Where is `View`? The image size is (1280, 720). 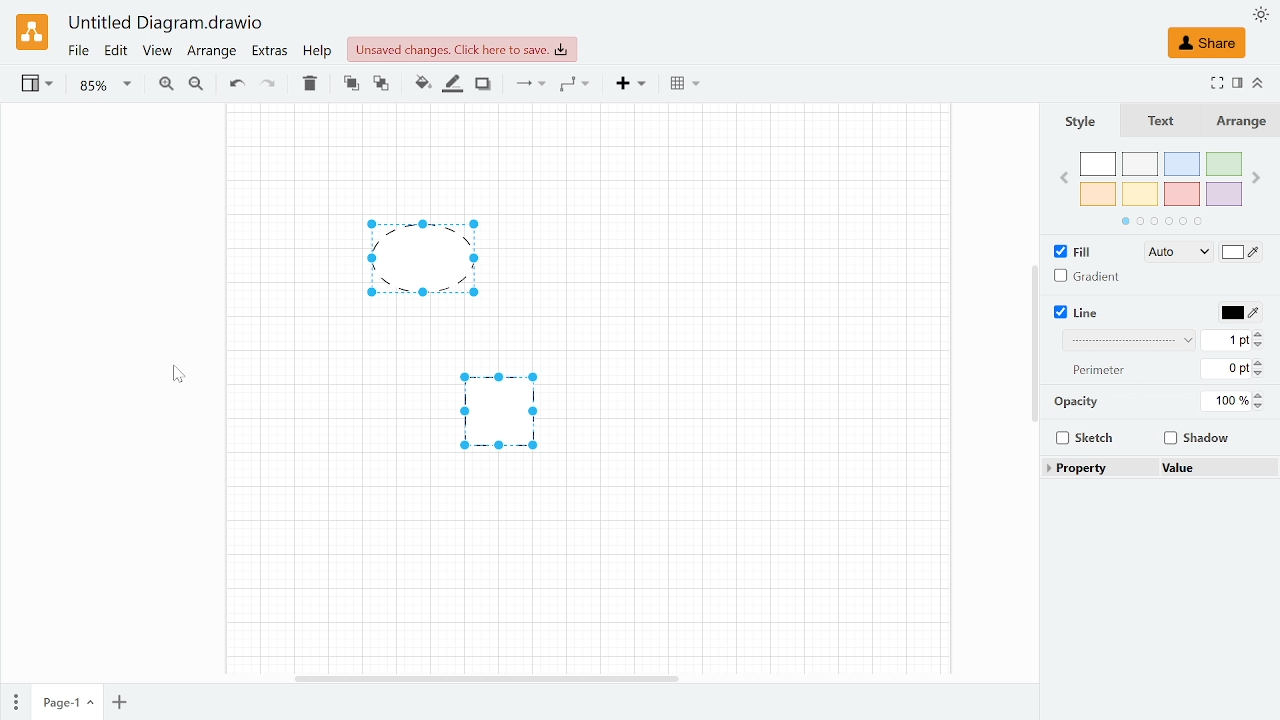 View is located at coordinates (158, 53).